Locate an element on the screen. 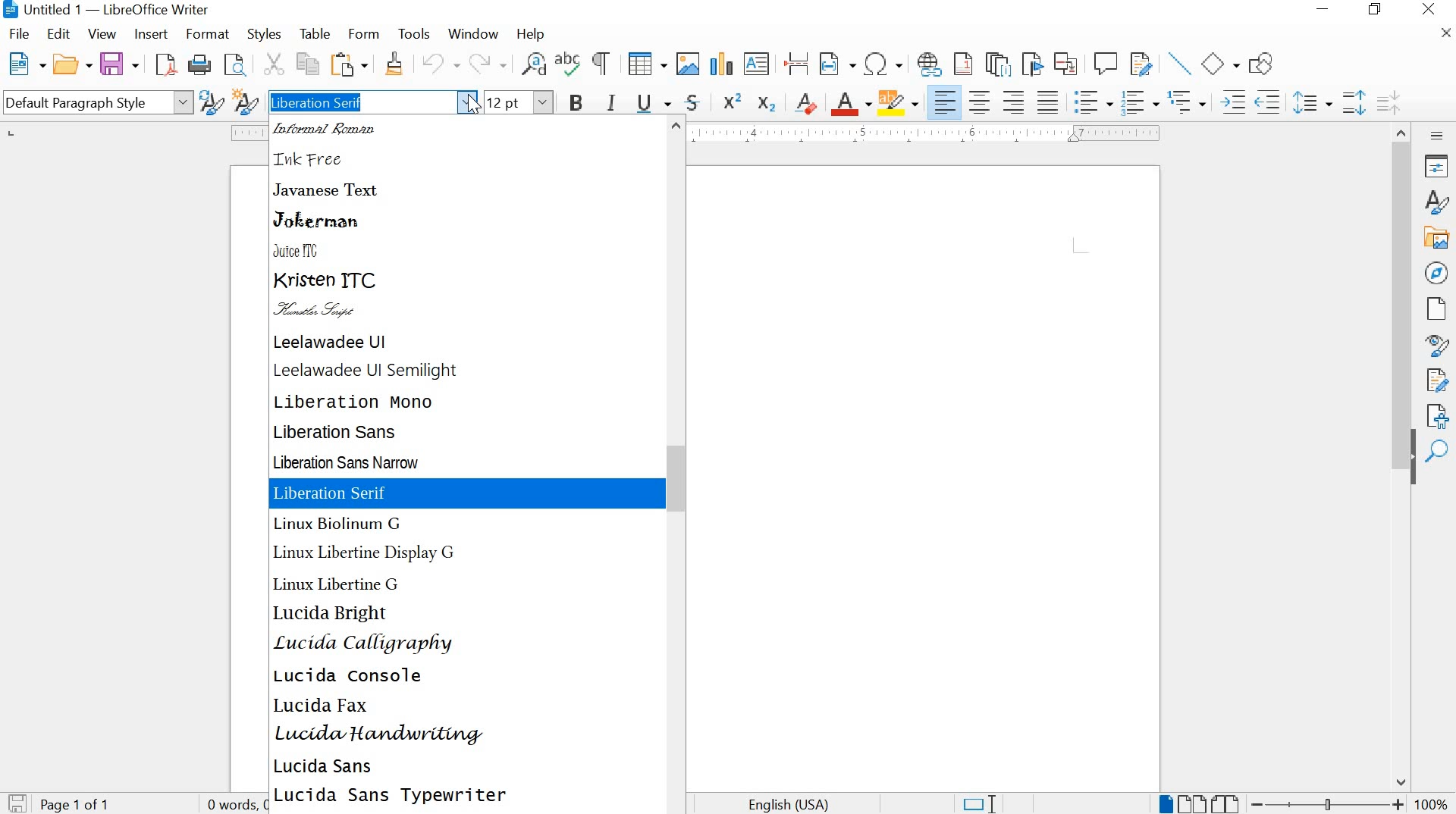  LIBERATION SANS is located at coordinates (342, 432).